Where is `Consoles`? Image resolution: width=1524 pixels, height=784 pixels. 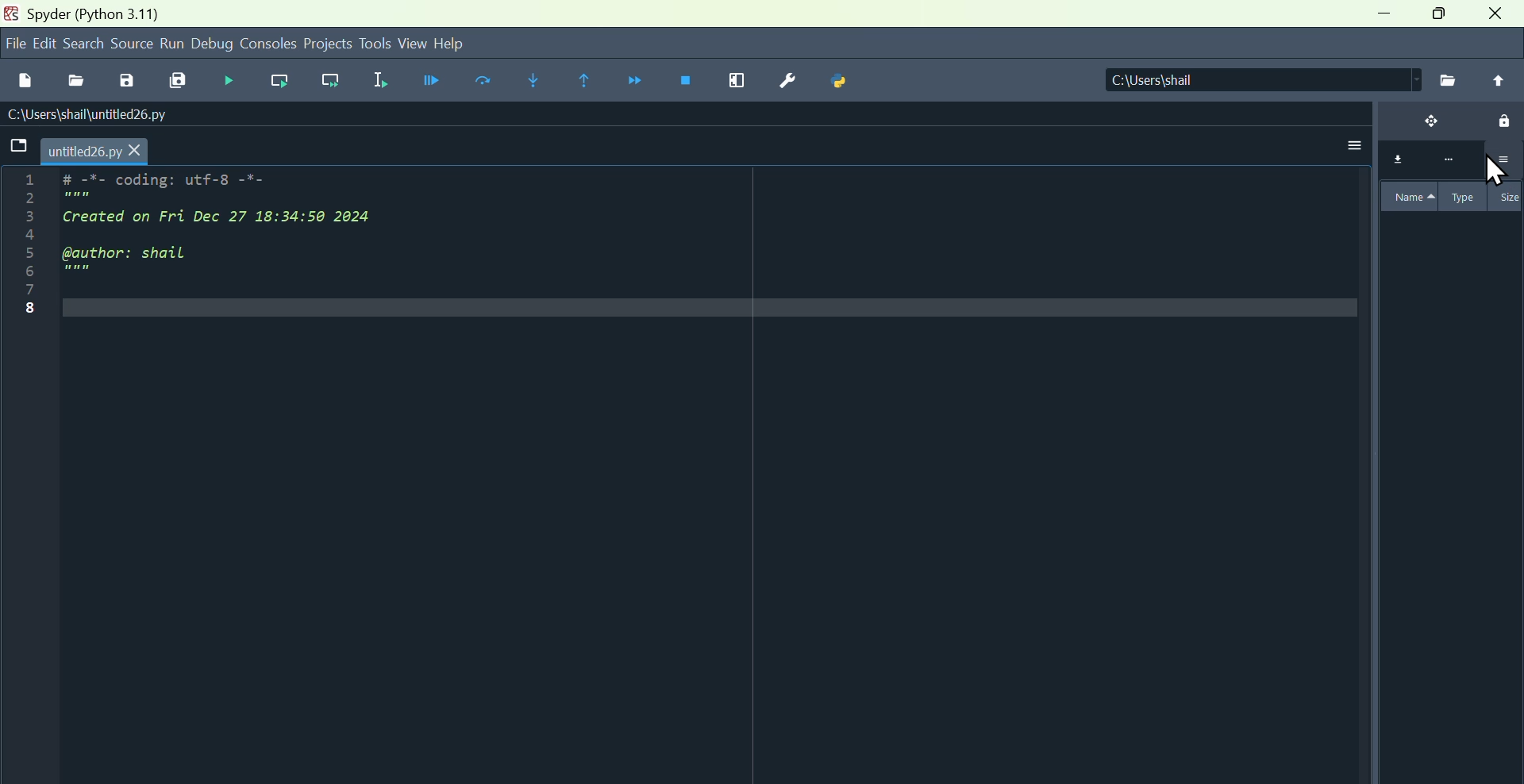
Consoles is located at coordinates (270, 42).